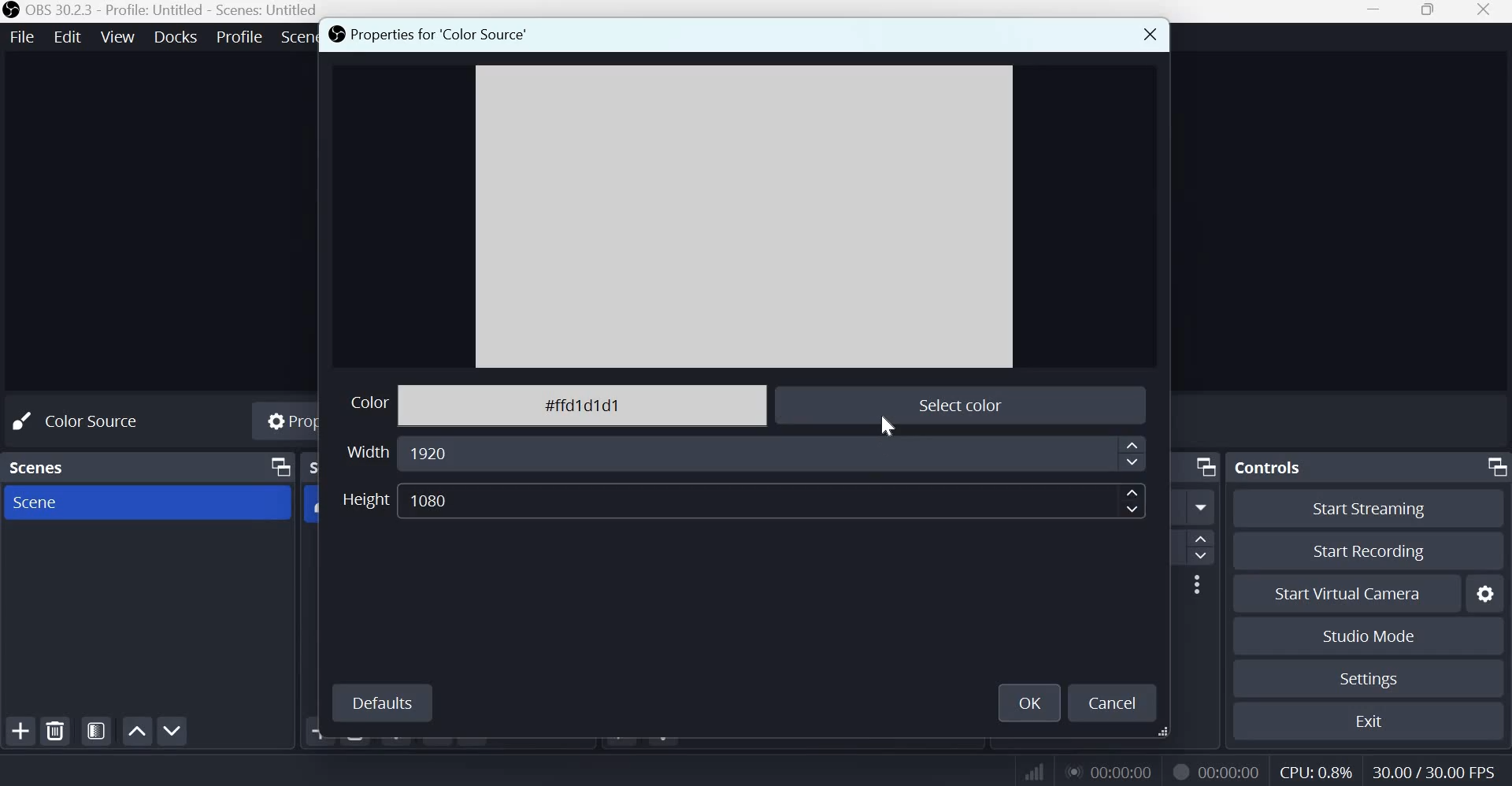 The height and width of the screenshot is (786, 1512). Describe the element at coordinates (173, 11) in the screenshot. I see `OBS 30.2.3 - Profile: Untitled - Scenes: Untitled` at that location.